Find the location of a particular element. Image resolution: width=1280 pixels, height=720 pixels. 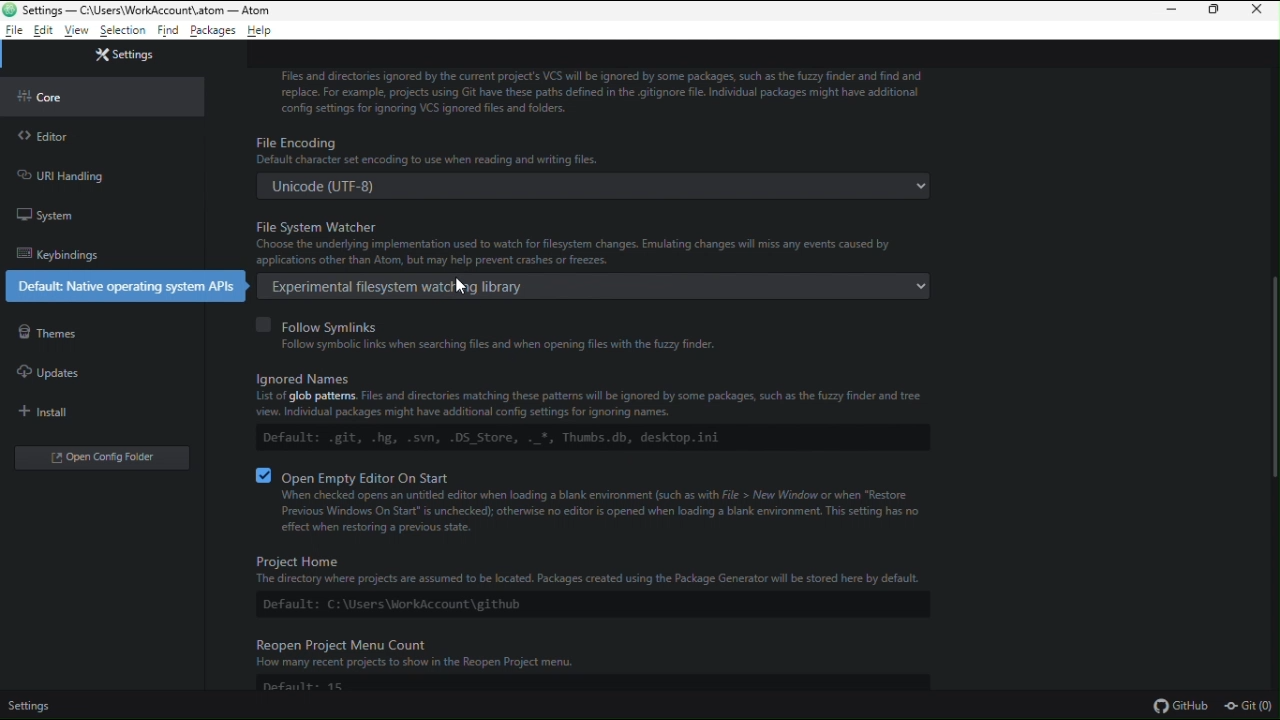

experimental filesystem watch library is located at coordinates (597, 286).